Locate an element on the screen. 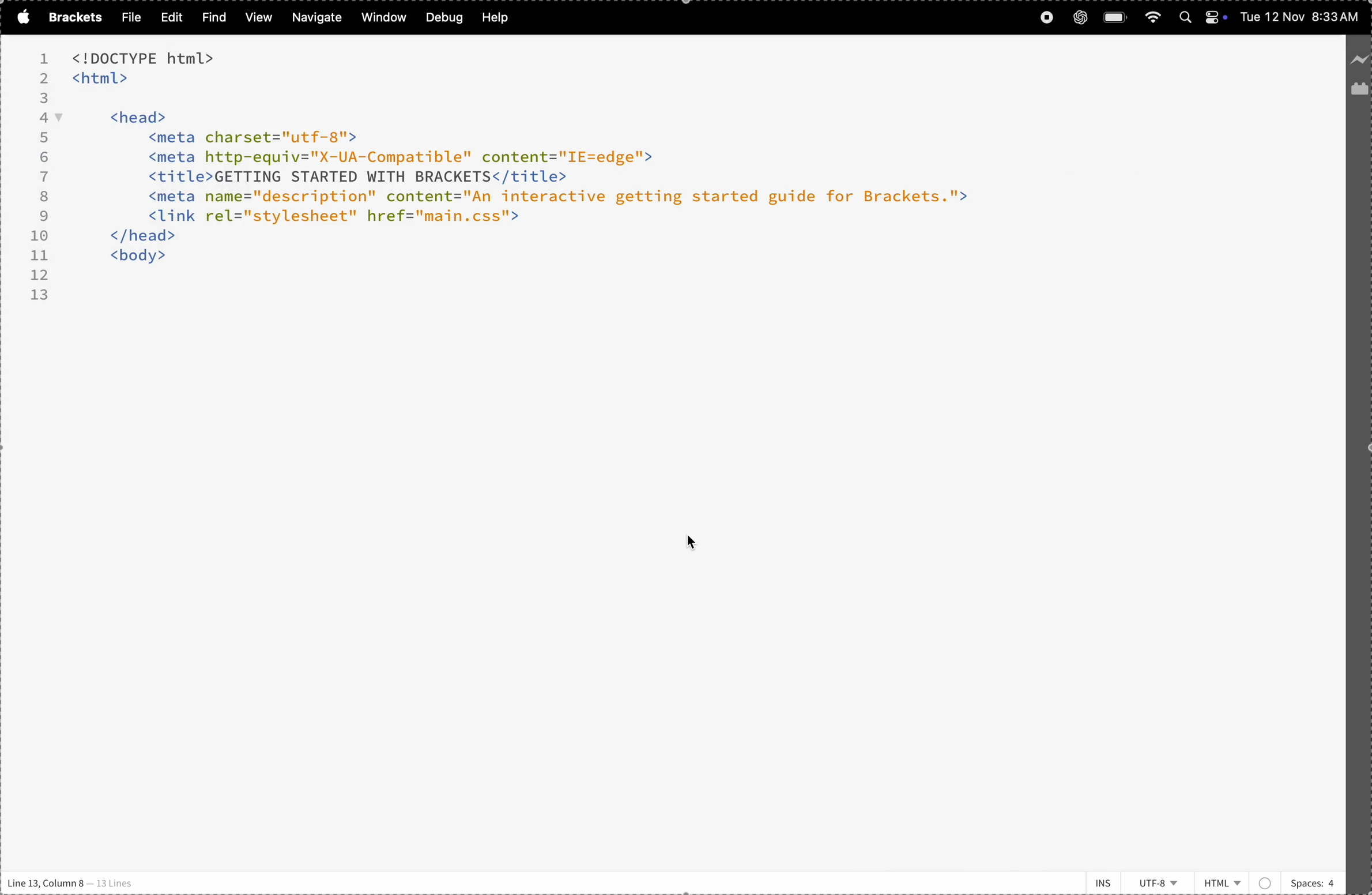 Image resolution: width=1372 pixels, height=895 pixels. apple menu is located at coordinates (20, 17).